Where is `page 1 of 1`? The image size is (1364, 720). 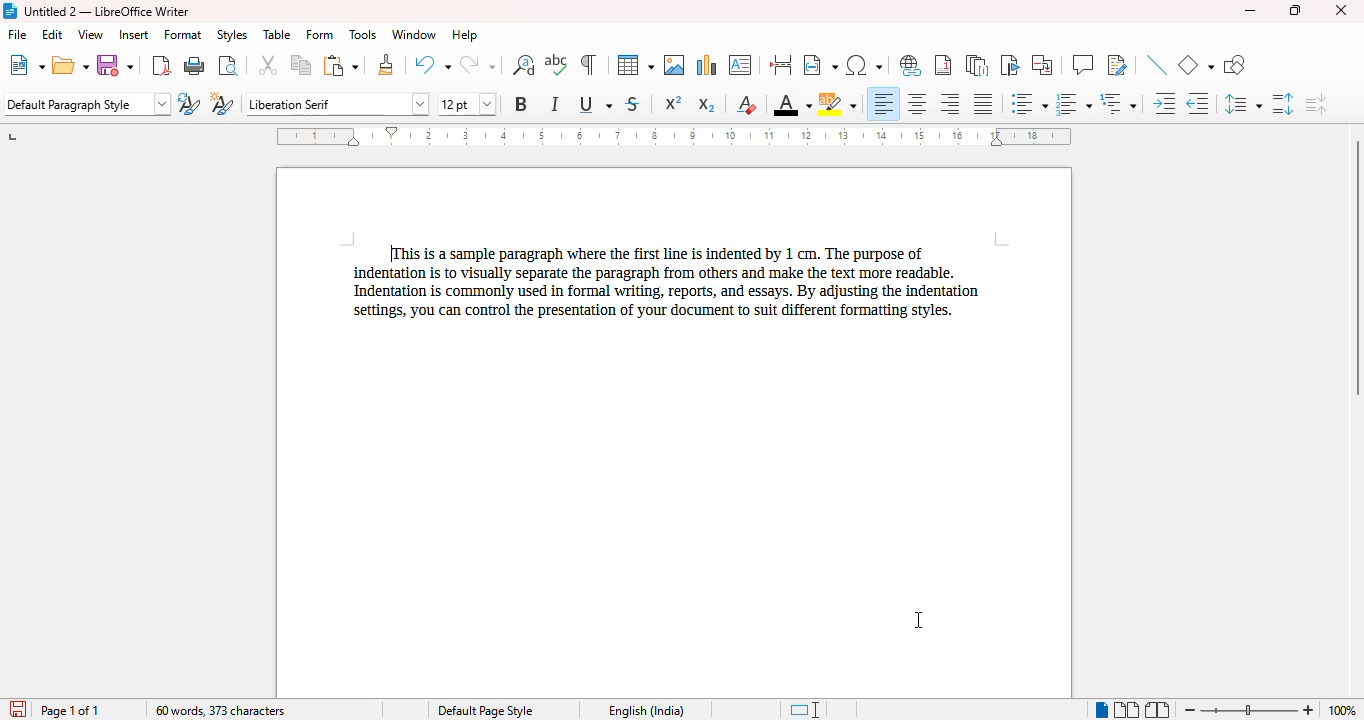 page 1 of 1 is located at coordinates (70, 711).